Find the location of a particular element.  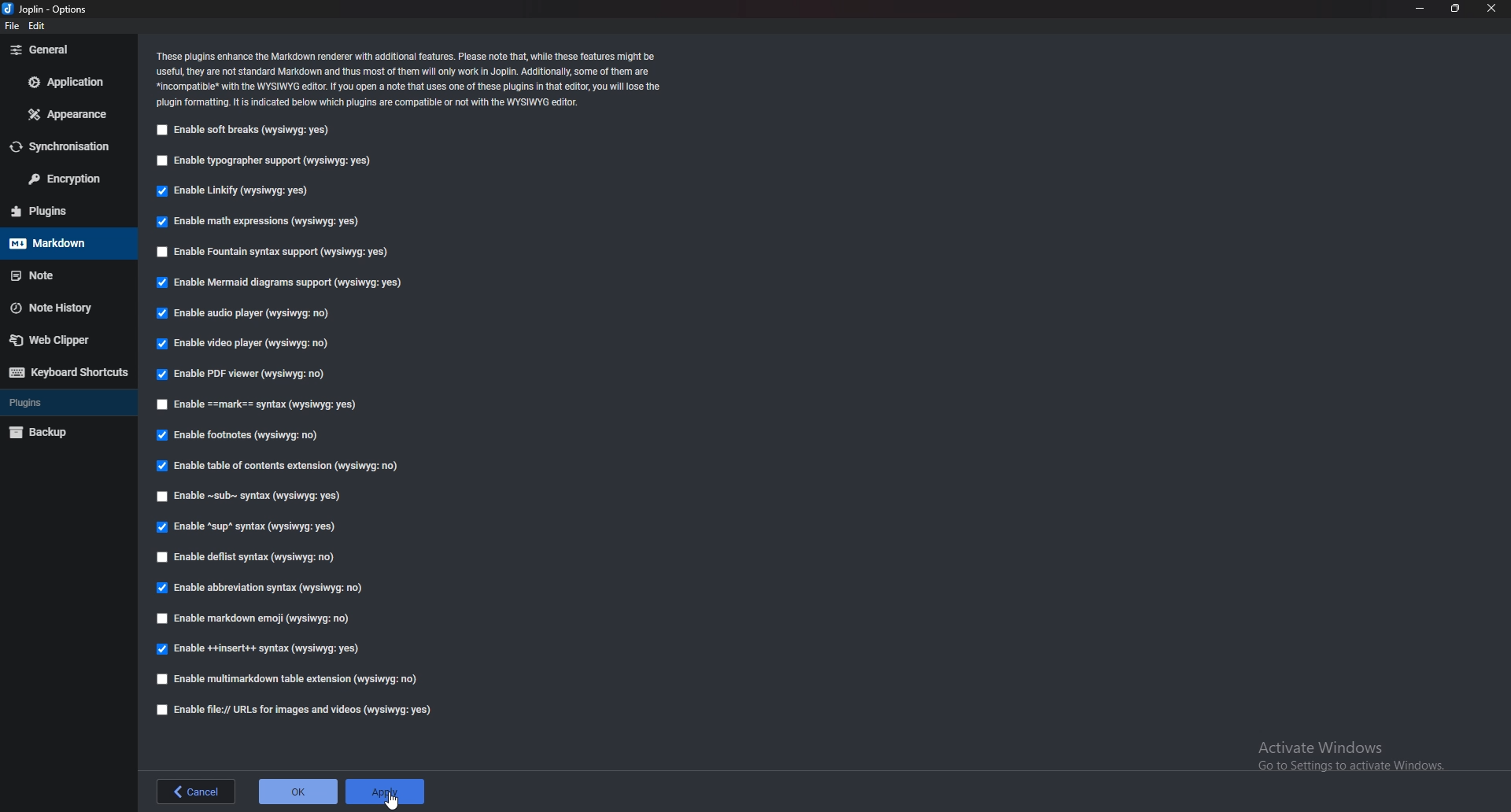

backup is located at coordinates (59, 433).